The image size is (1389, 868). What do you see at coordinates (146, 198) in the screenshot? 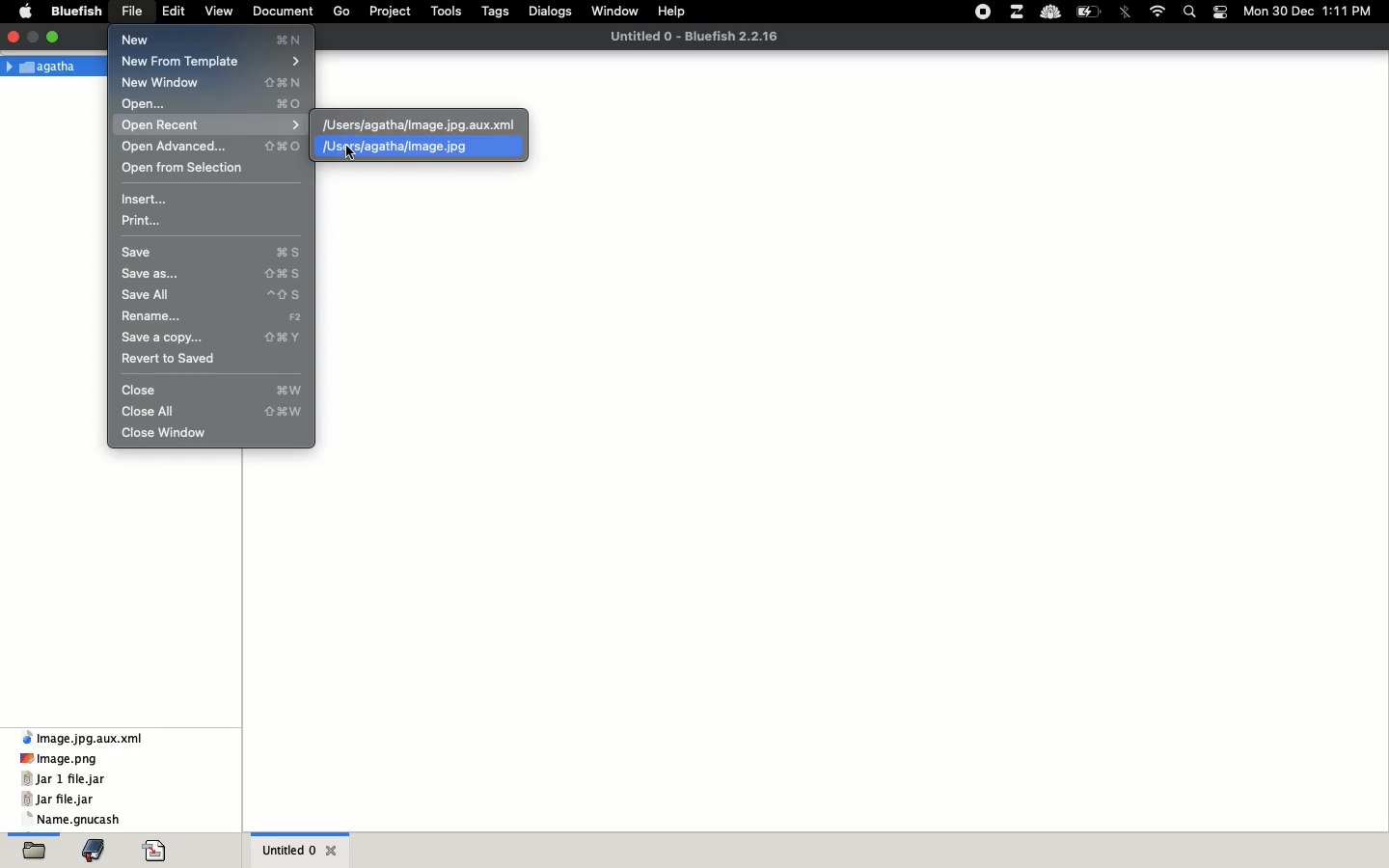
I see `insert` at bounding box center [146, 198].